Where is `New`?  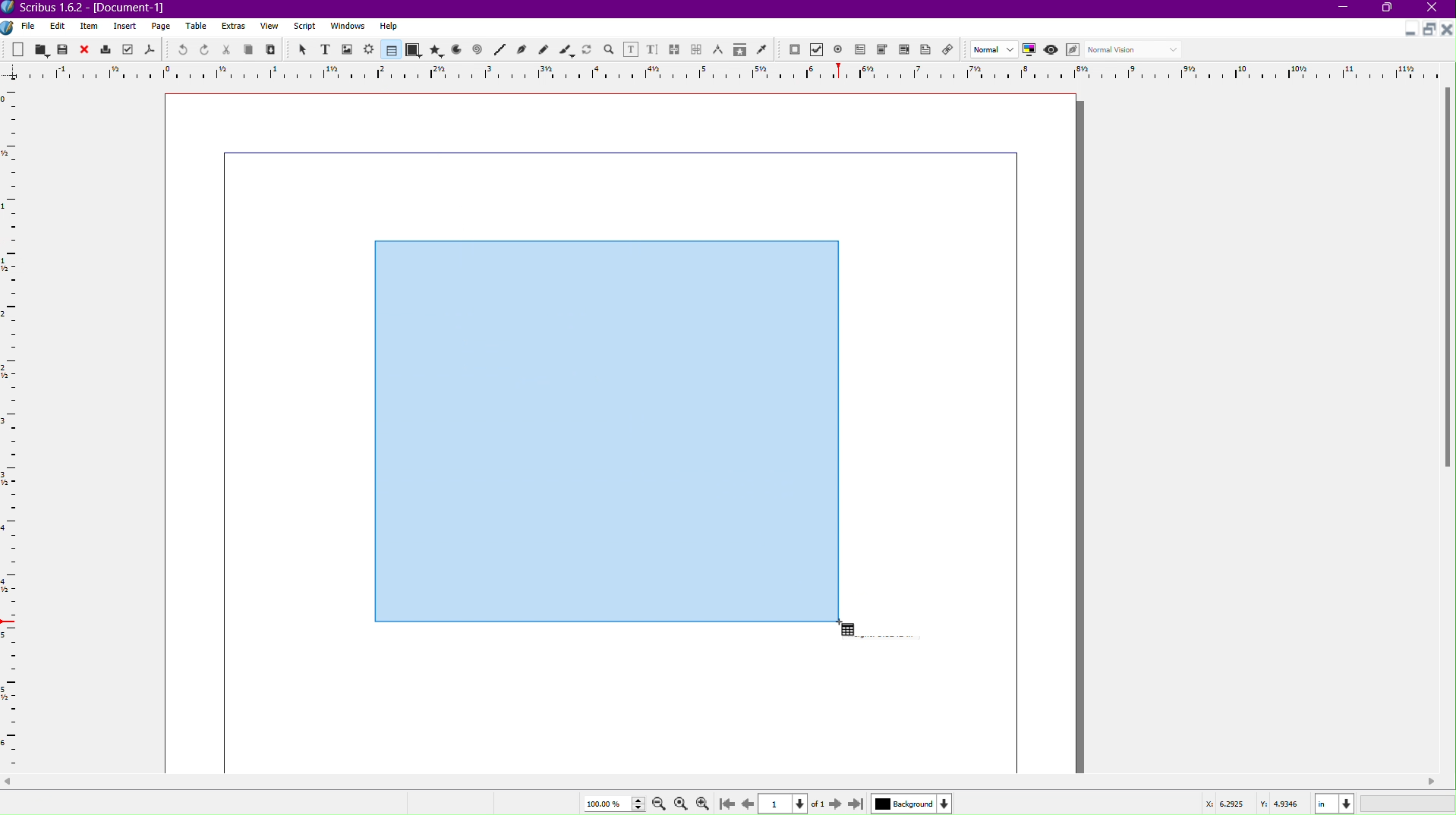 New is located at coordinates (19, 49).